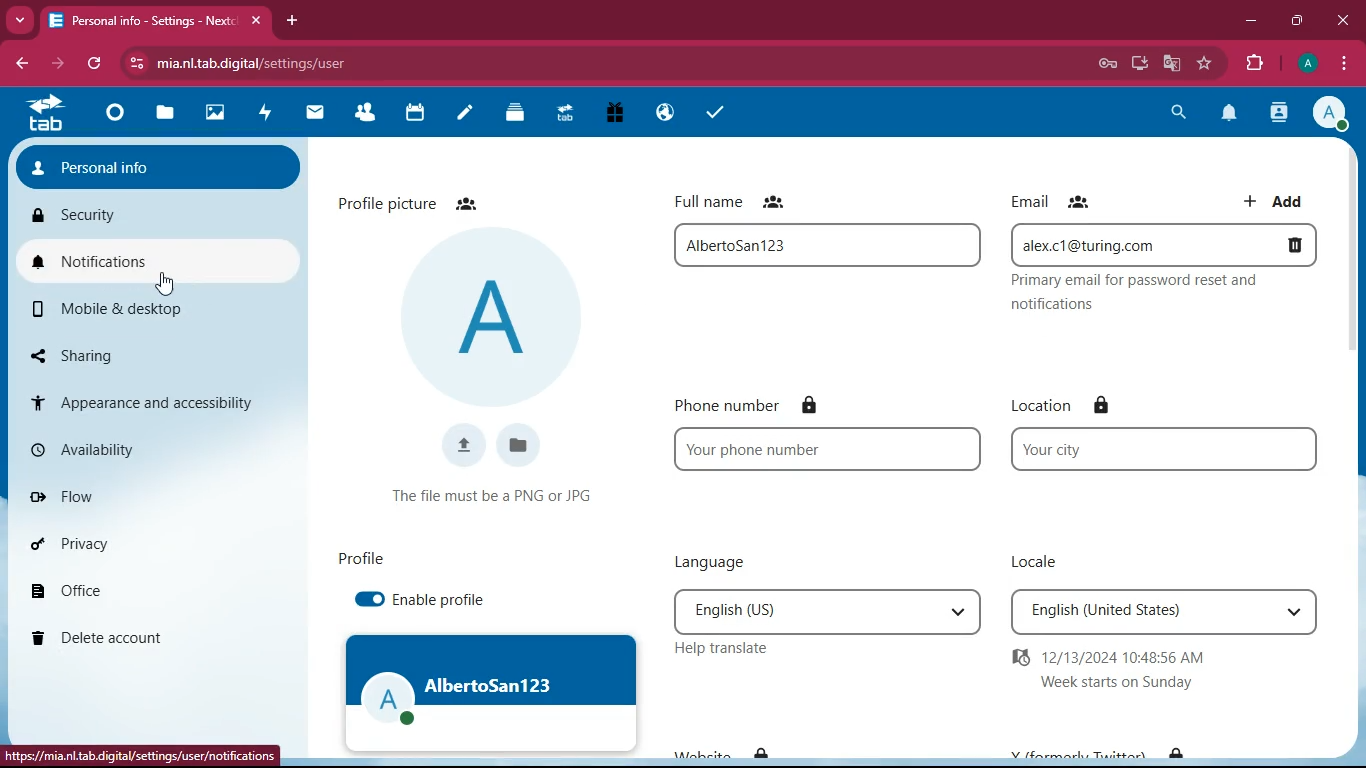 The width and height of the screenshot is (1366, 768). What do you see at coordinates (727, 649) in the screenshot?
I see `help translate` at bounding box center [727, 649].